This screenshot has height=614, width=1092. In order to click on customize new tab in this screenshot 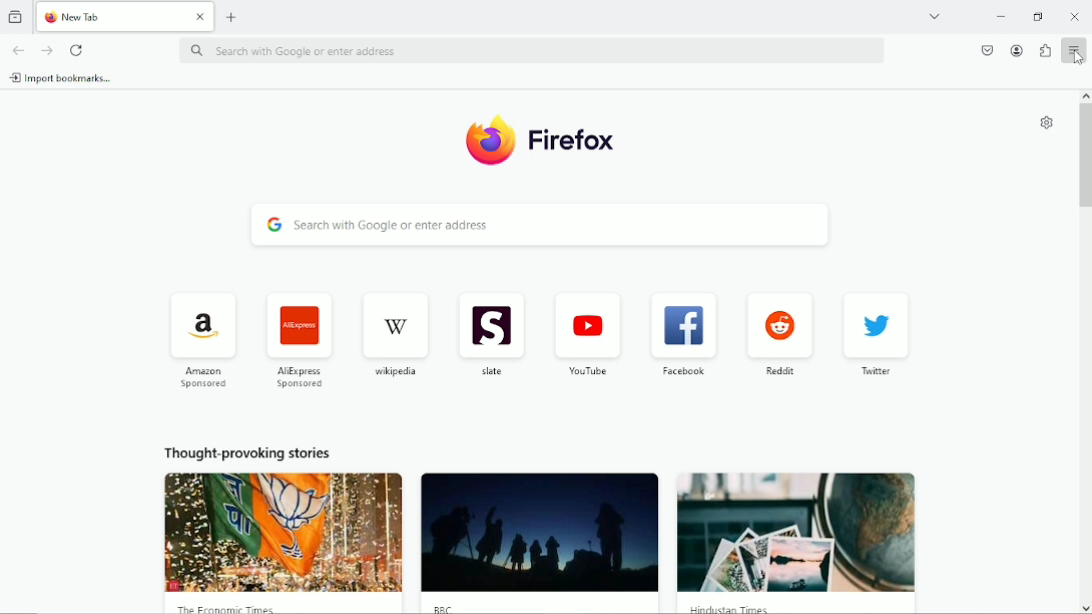, I will do `click(1048, 122)`.